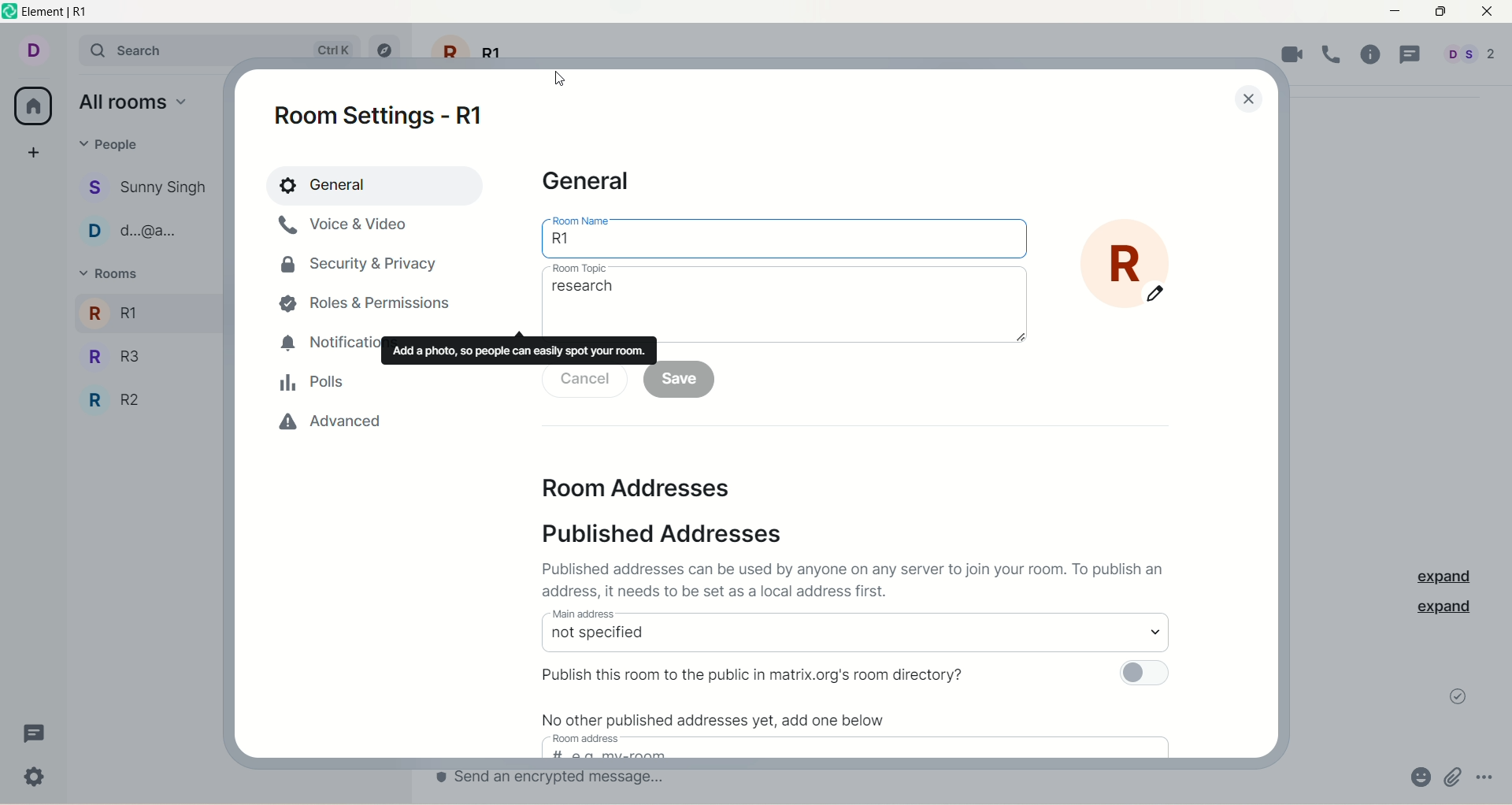  What do you see at coordinates (149, 186) in the screenshot?
I see `people` at bounding box center [149, 186].